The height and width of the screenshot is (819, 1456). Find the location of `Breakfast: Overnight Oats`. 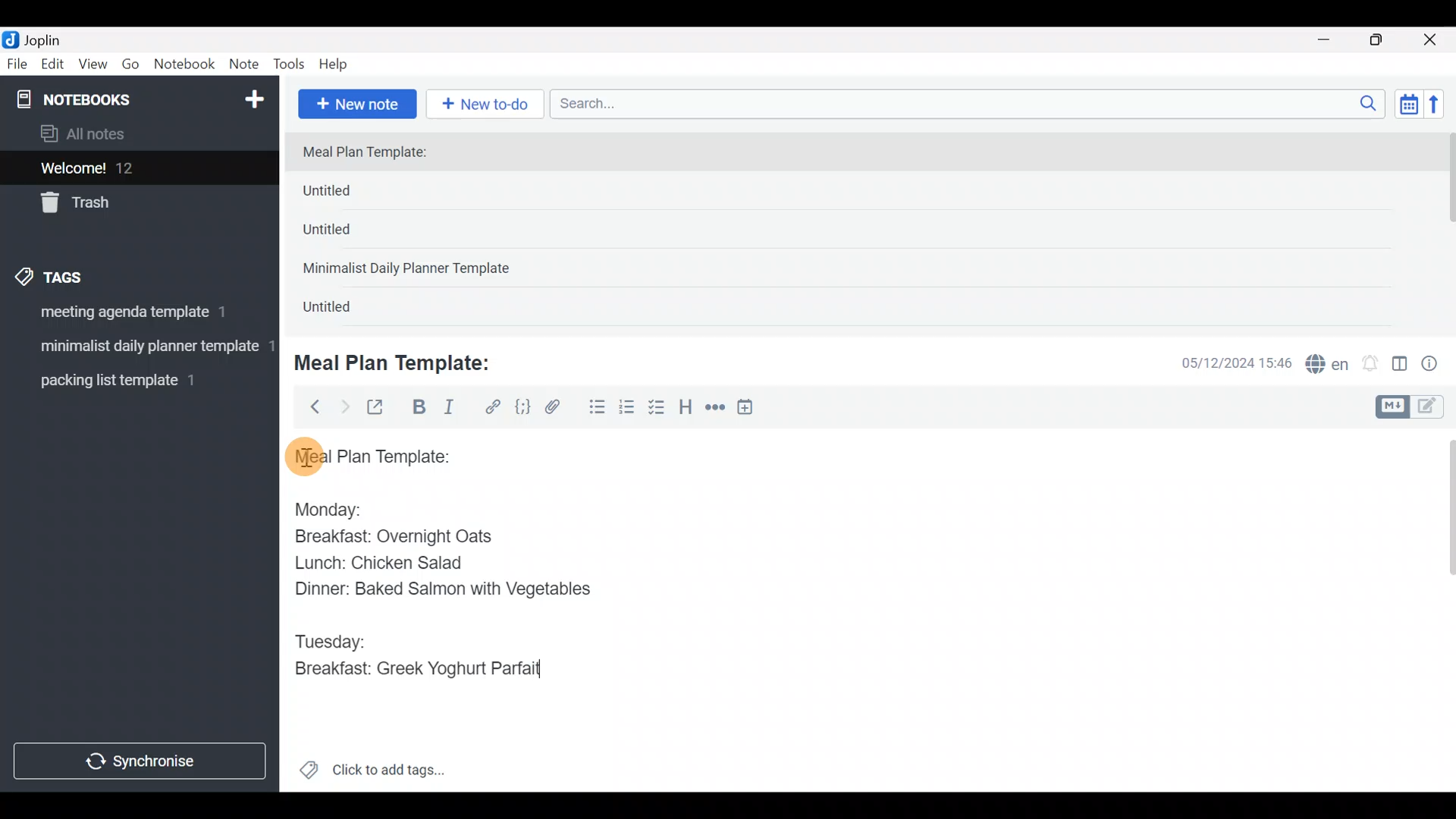

Breakfast: Overnight Oats is located at coordinates (391, 538).